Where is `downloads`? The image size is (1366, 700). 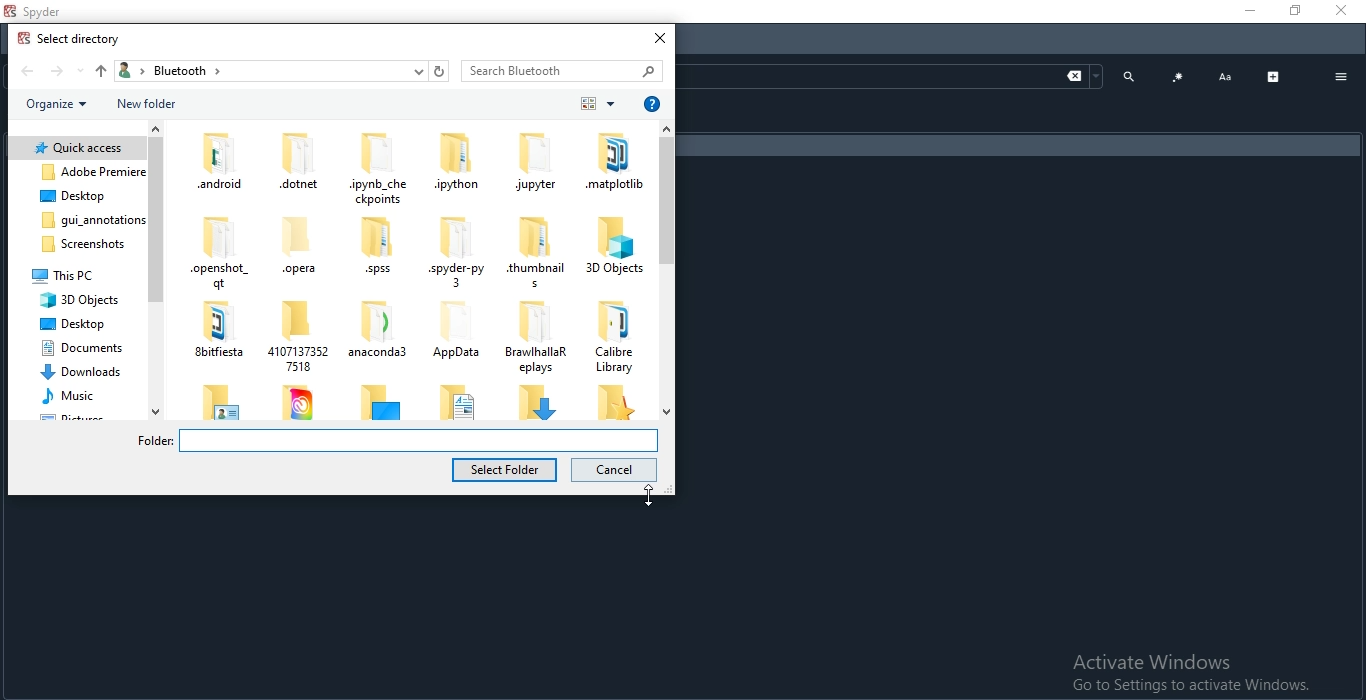 downloads is located at coordinates (77, 372).